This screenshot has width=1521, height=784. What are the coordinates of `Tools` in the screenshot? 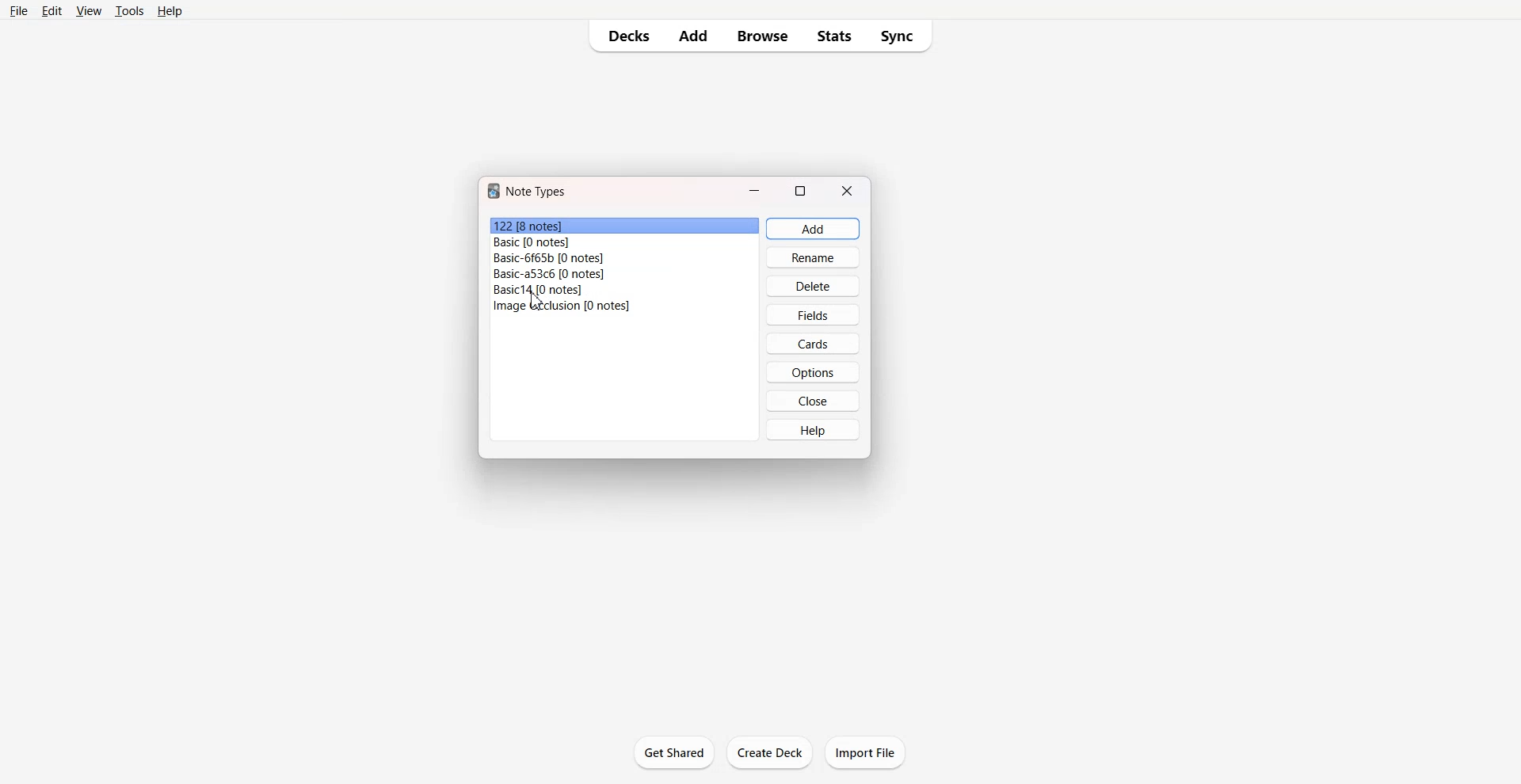 It's located at (129, 11).